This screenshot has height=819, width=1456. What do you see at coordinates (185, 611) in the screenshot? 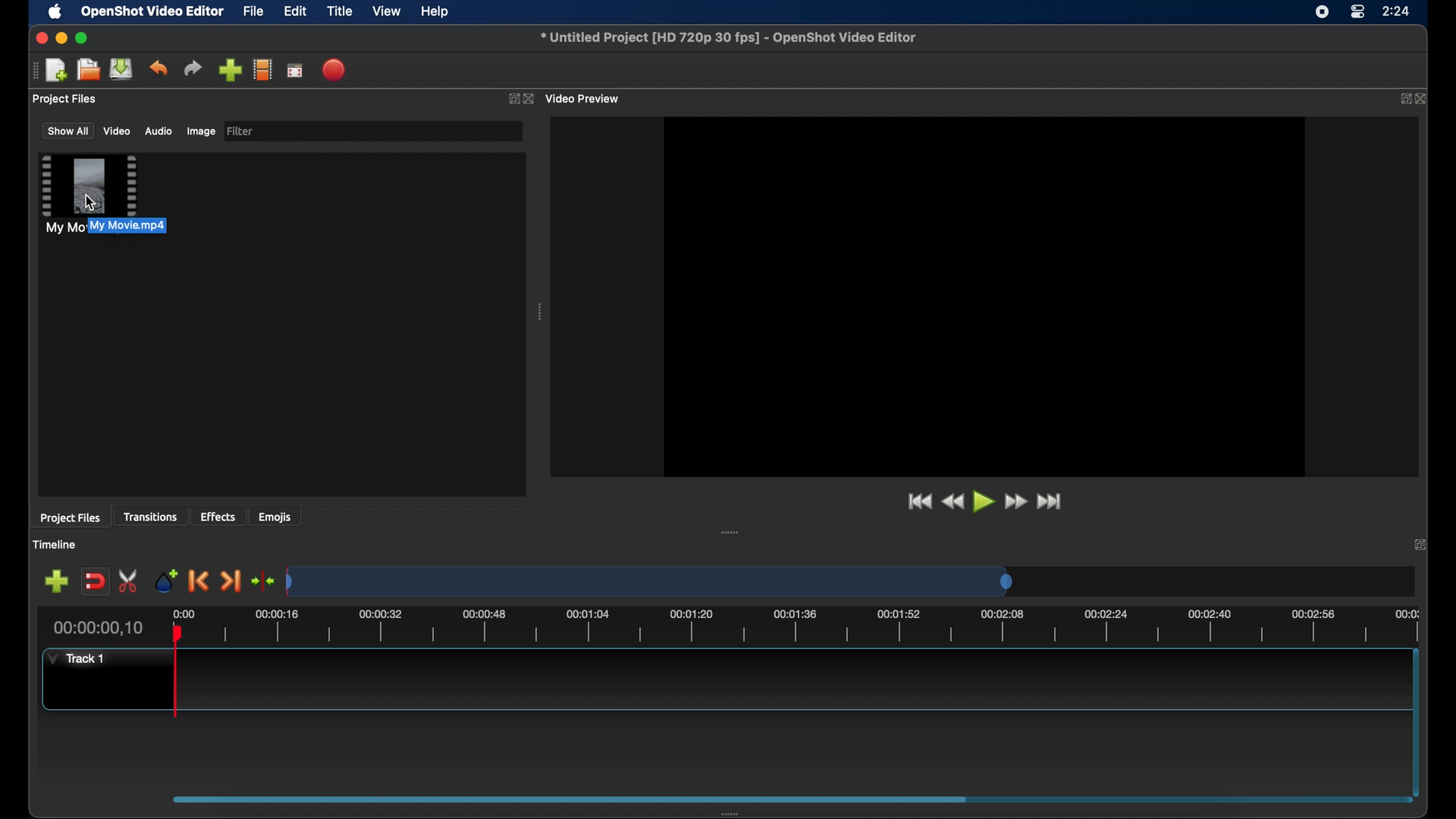
I see `0.00` at bounding box center [185, 611].